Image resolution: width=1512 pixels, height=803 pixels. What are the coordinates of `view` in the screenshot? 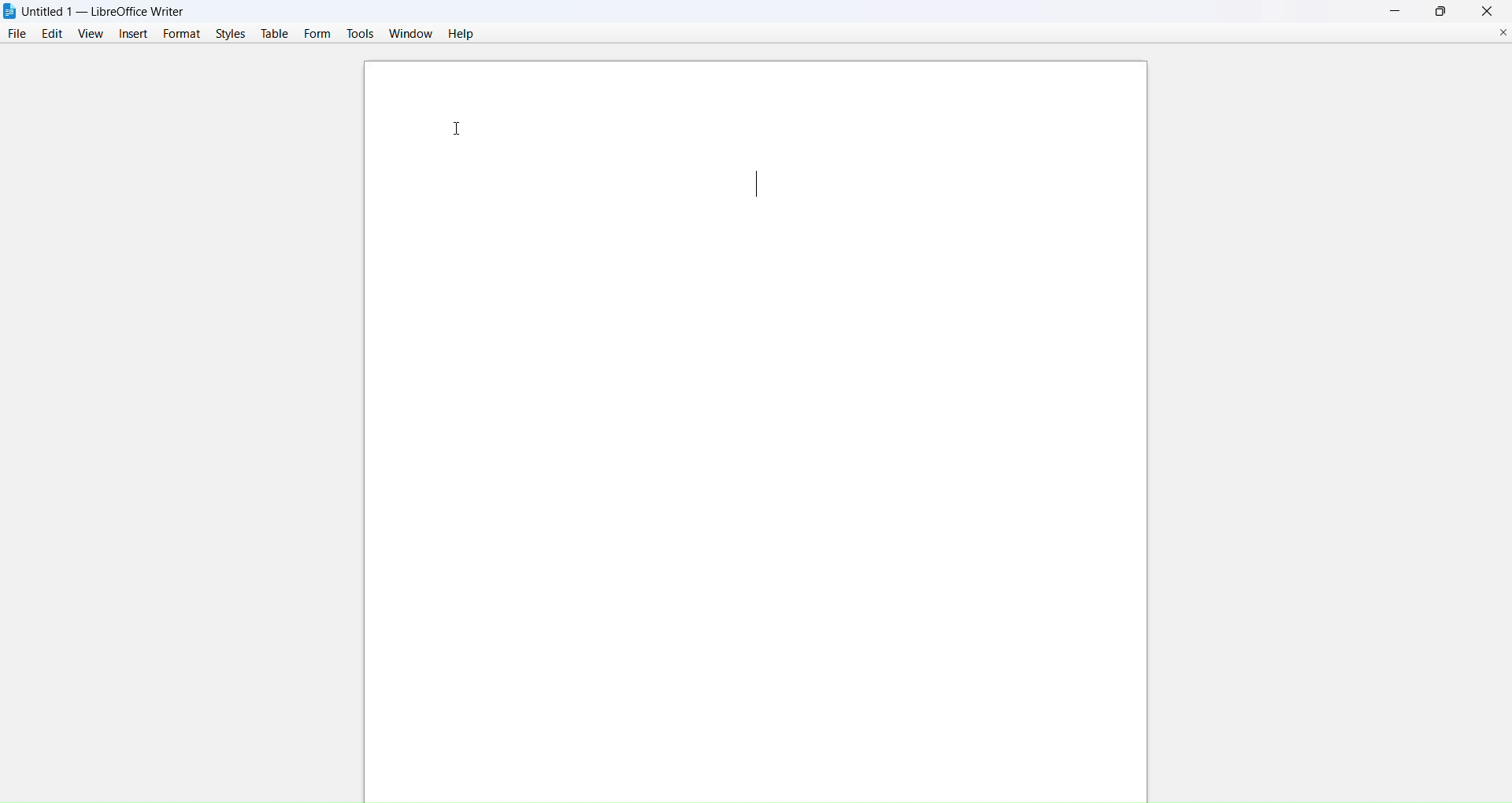 It's located at (93, 33).